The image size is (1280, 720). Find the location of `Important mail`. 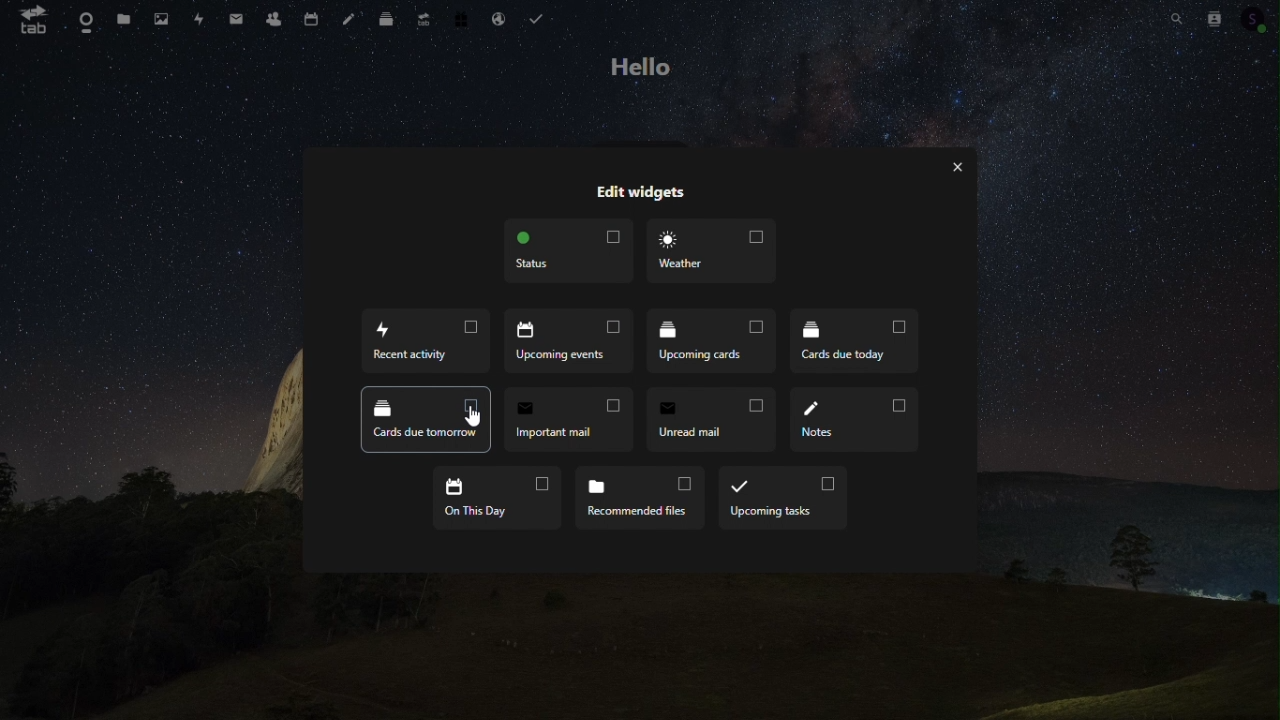

Important mail is located at coordinates (568, 420).